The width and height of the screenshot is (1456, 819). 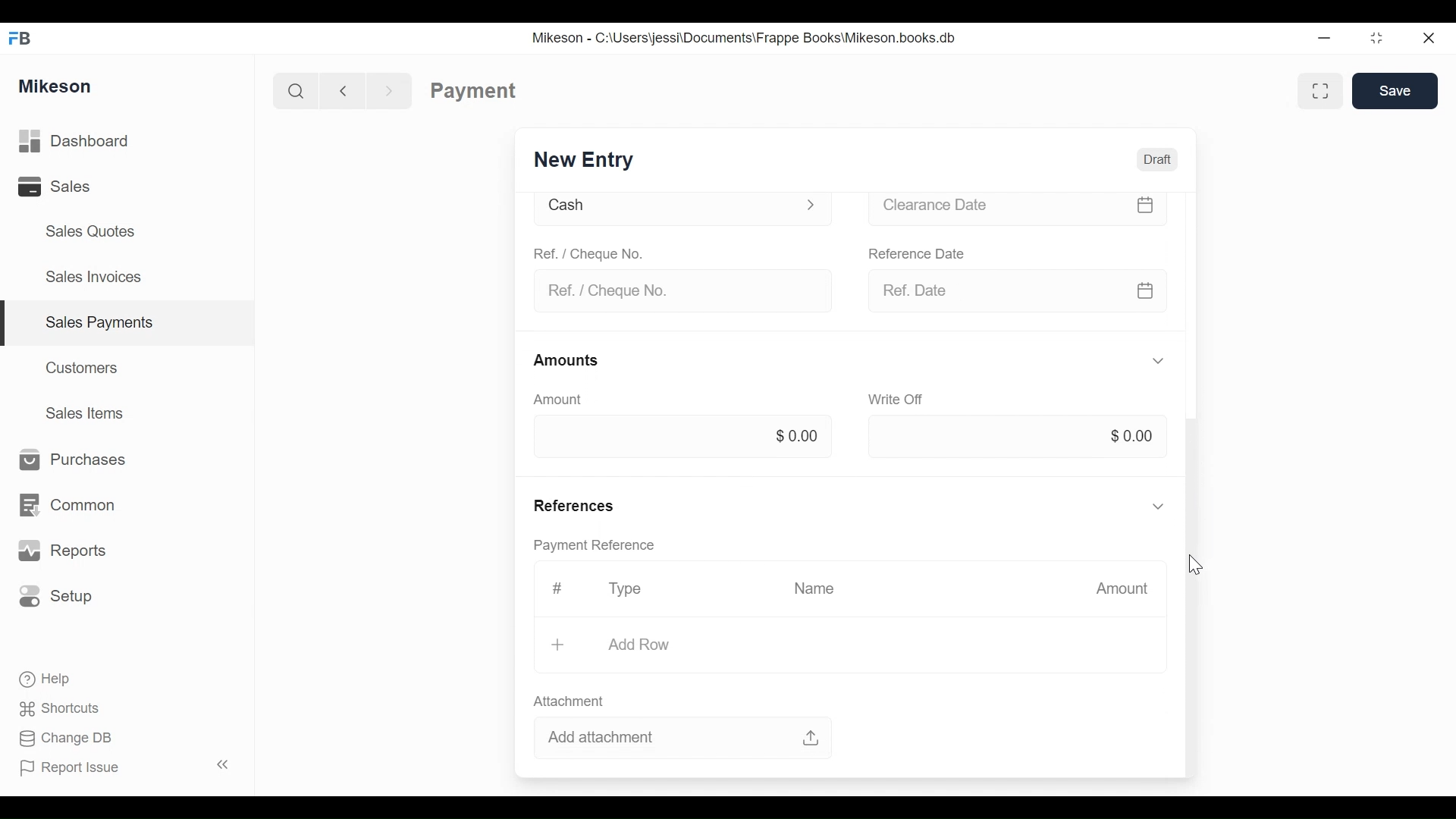 What do you see at coordinates (65, 551) in the screenshot?
I see `Reports` at bounding box center [65, 551].